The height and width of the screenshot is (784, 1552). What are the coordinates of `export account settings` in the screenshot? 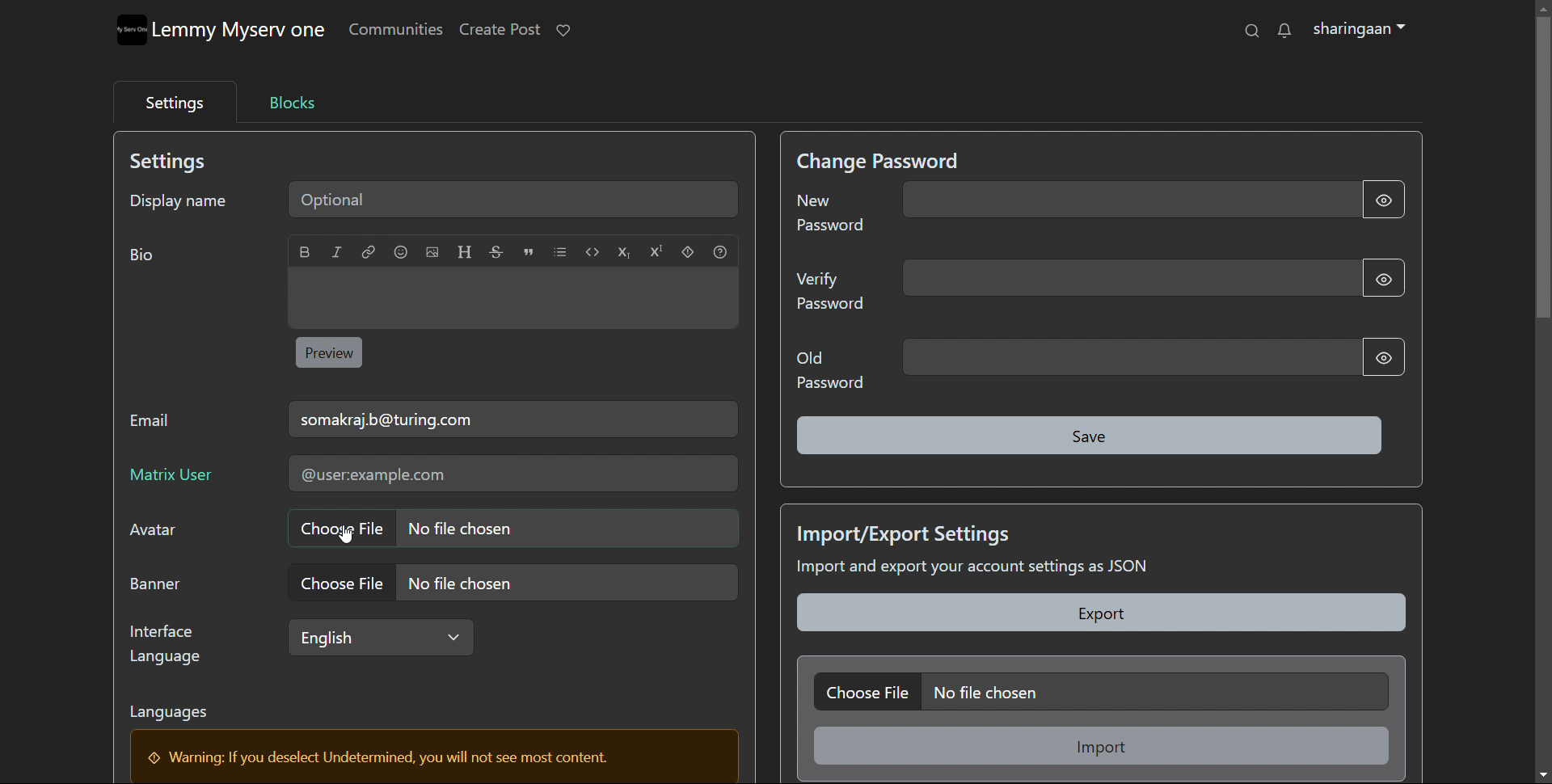 It's located at (1103, 613).